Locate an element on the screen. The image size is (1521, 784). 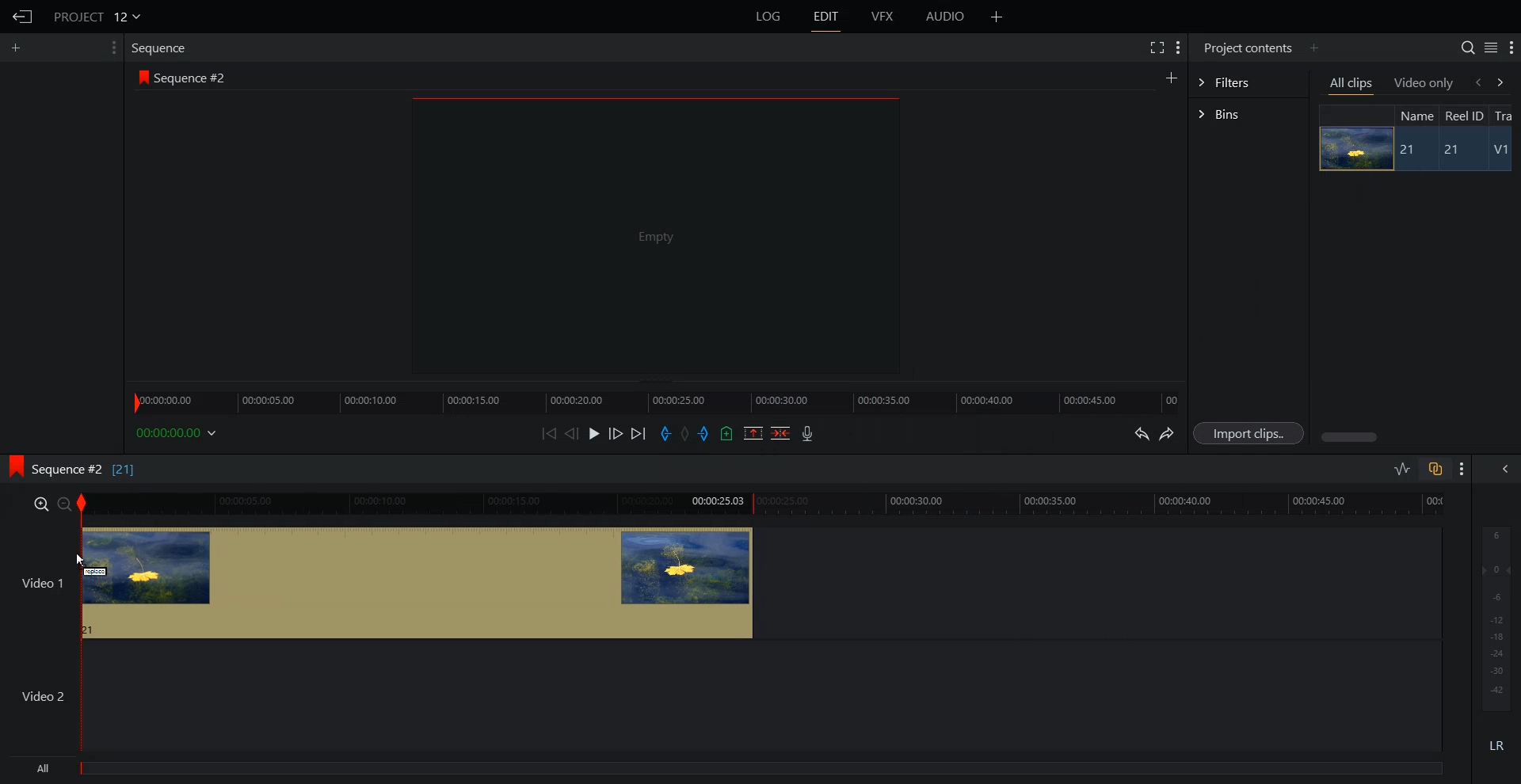
VFX is located at coordinates (883, 17).